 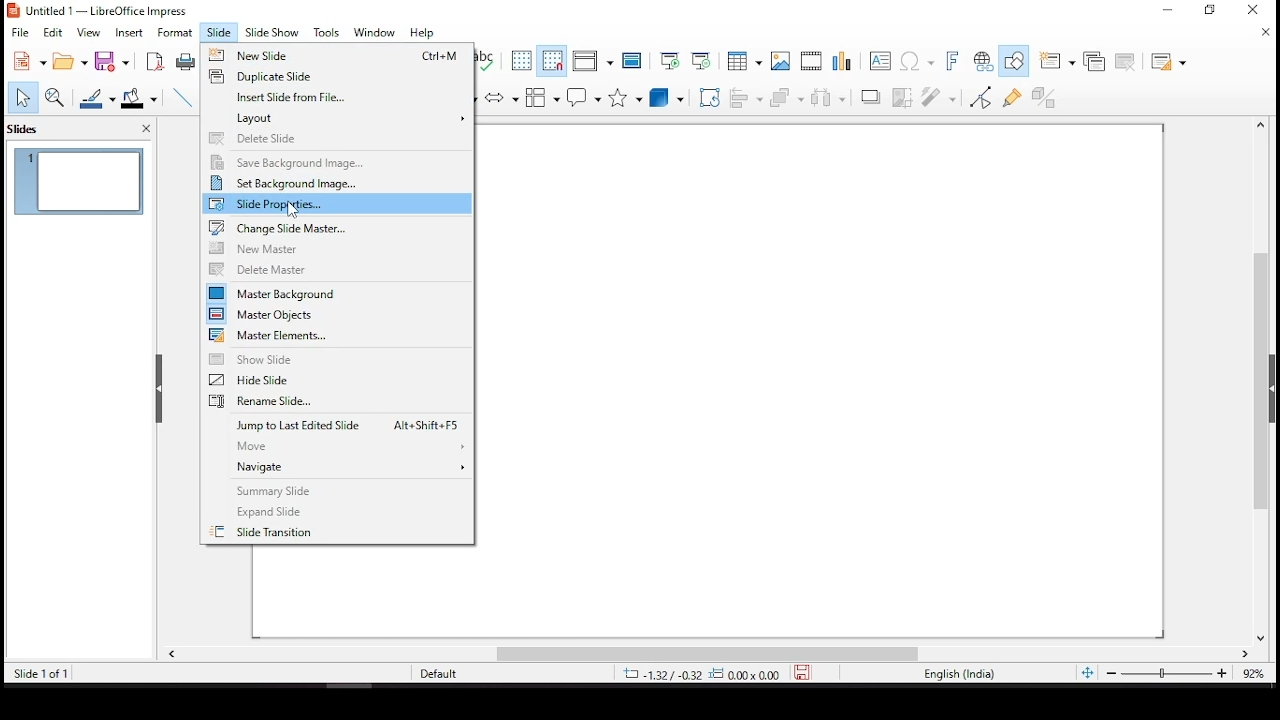 I want to click on fill color, so click(x=139, y=99).